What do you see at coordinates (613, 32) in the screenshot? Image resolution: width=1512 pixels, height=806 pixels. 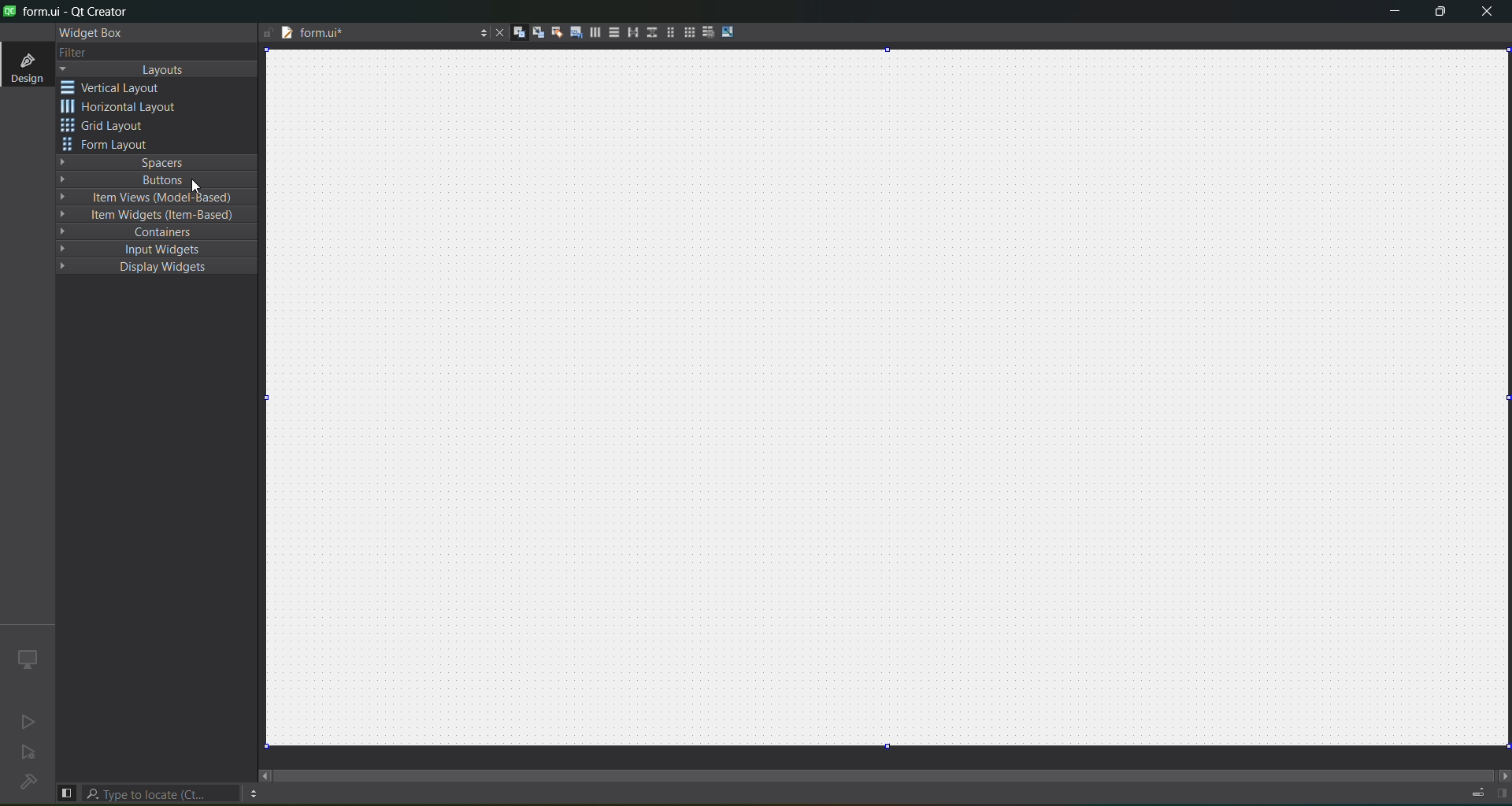 I see `vertical layout` at bounding box center [613, 32].